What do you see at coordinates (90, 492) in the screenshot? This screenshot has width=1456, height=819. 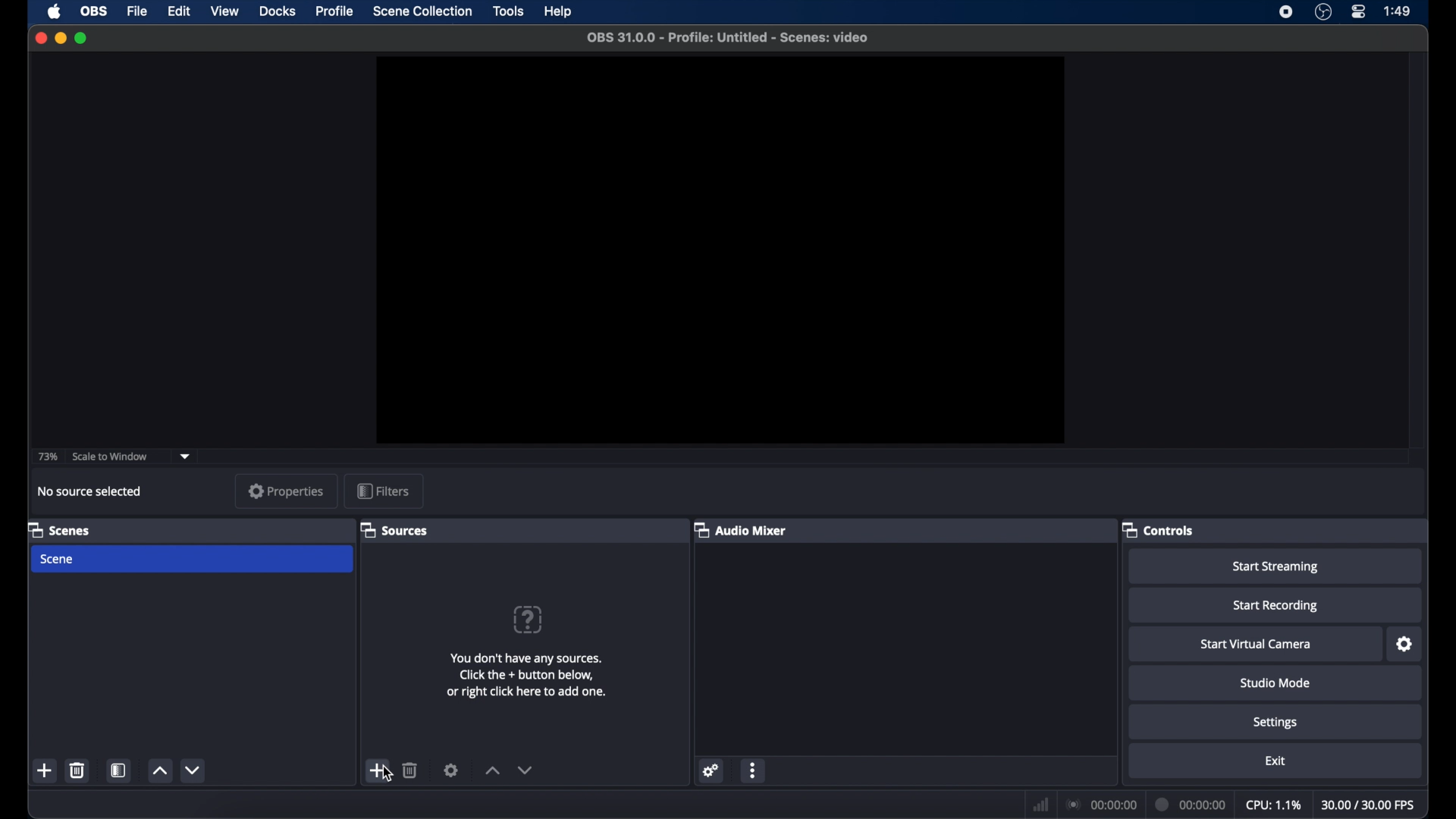 I see `no source selected` at bounding box center [90, 492].